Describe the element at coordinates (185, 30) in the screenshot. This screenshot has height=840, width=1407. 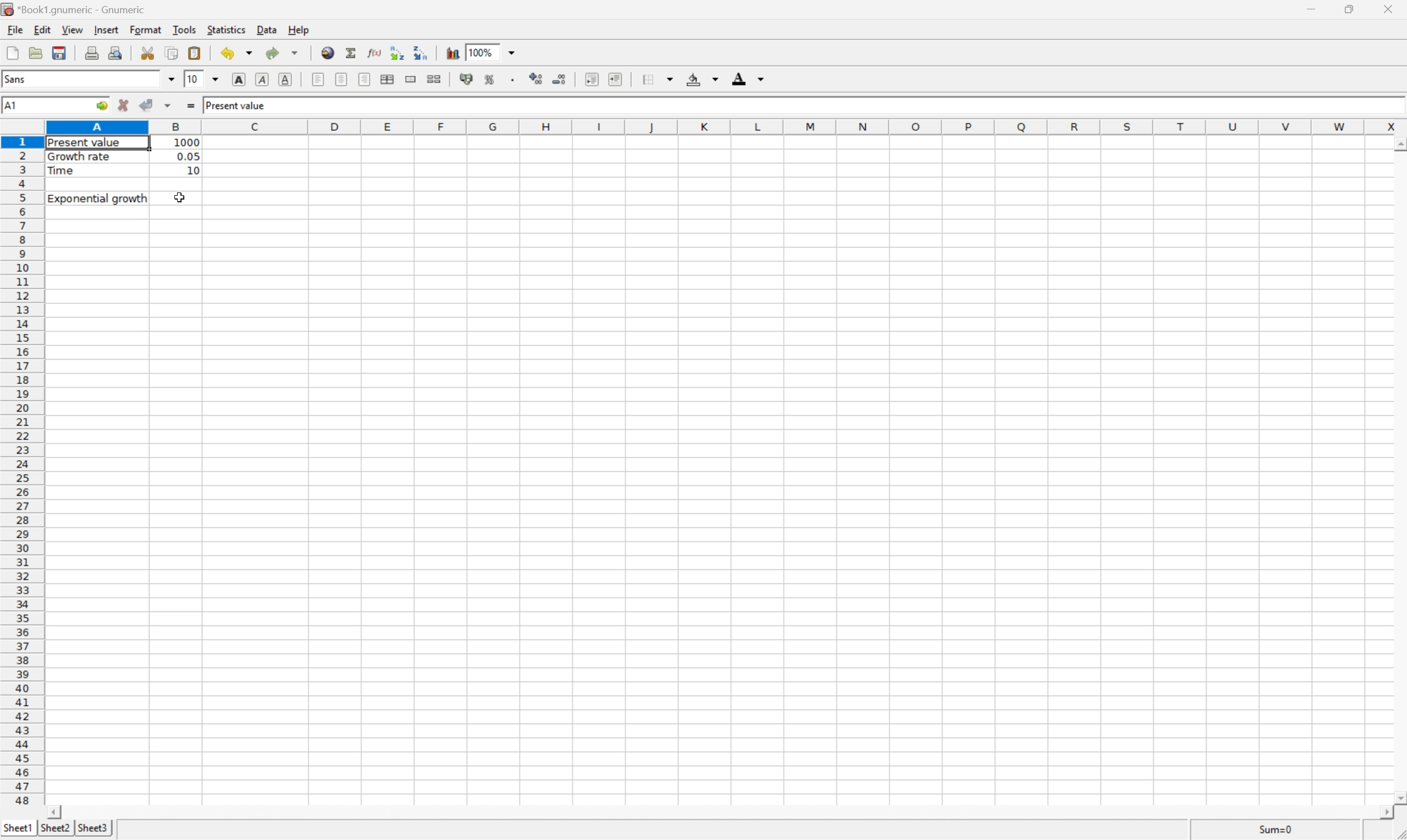
I see `Tools` at that location.